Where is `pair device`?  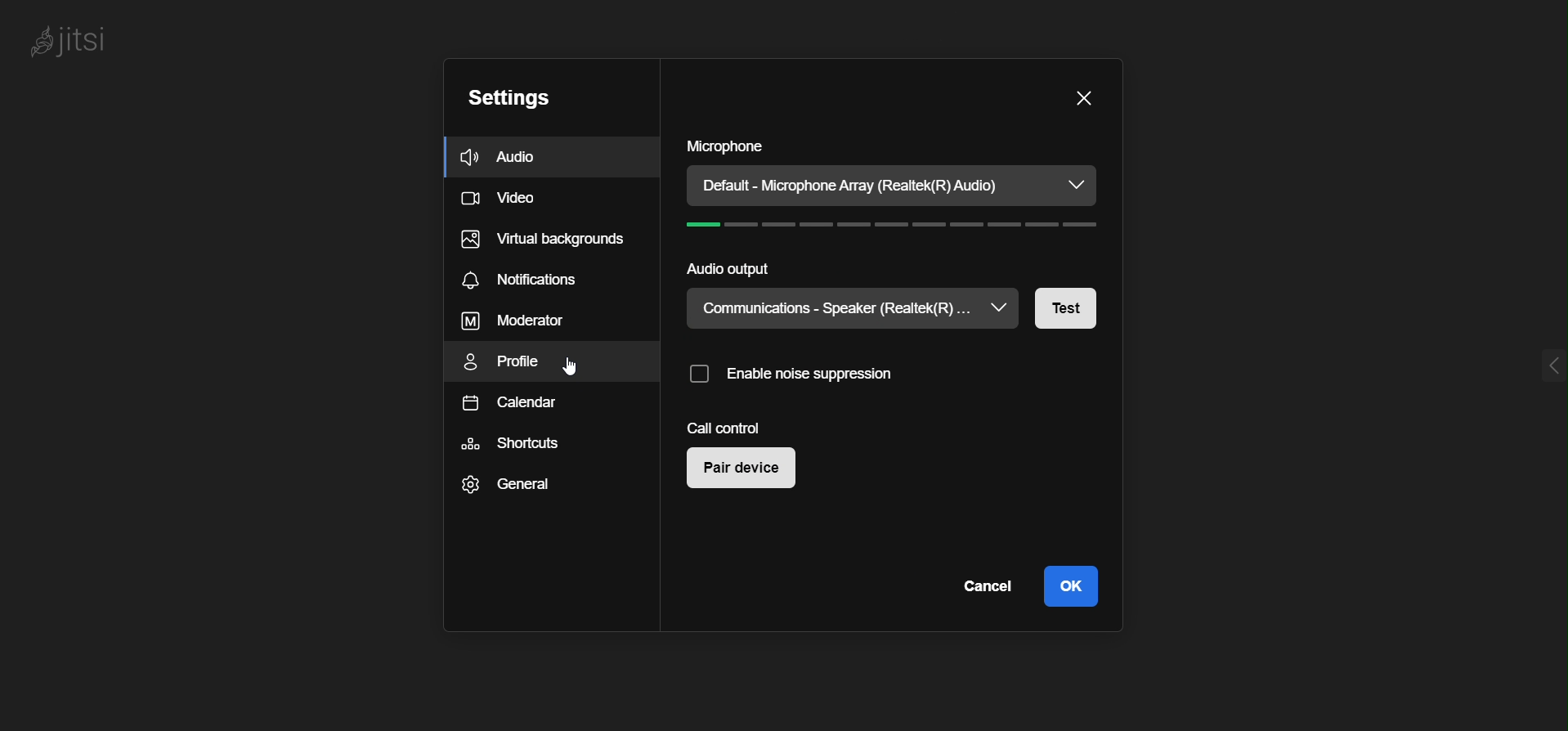 pair device is located at coordinates (746, 470).